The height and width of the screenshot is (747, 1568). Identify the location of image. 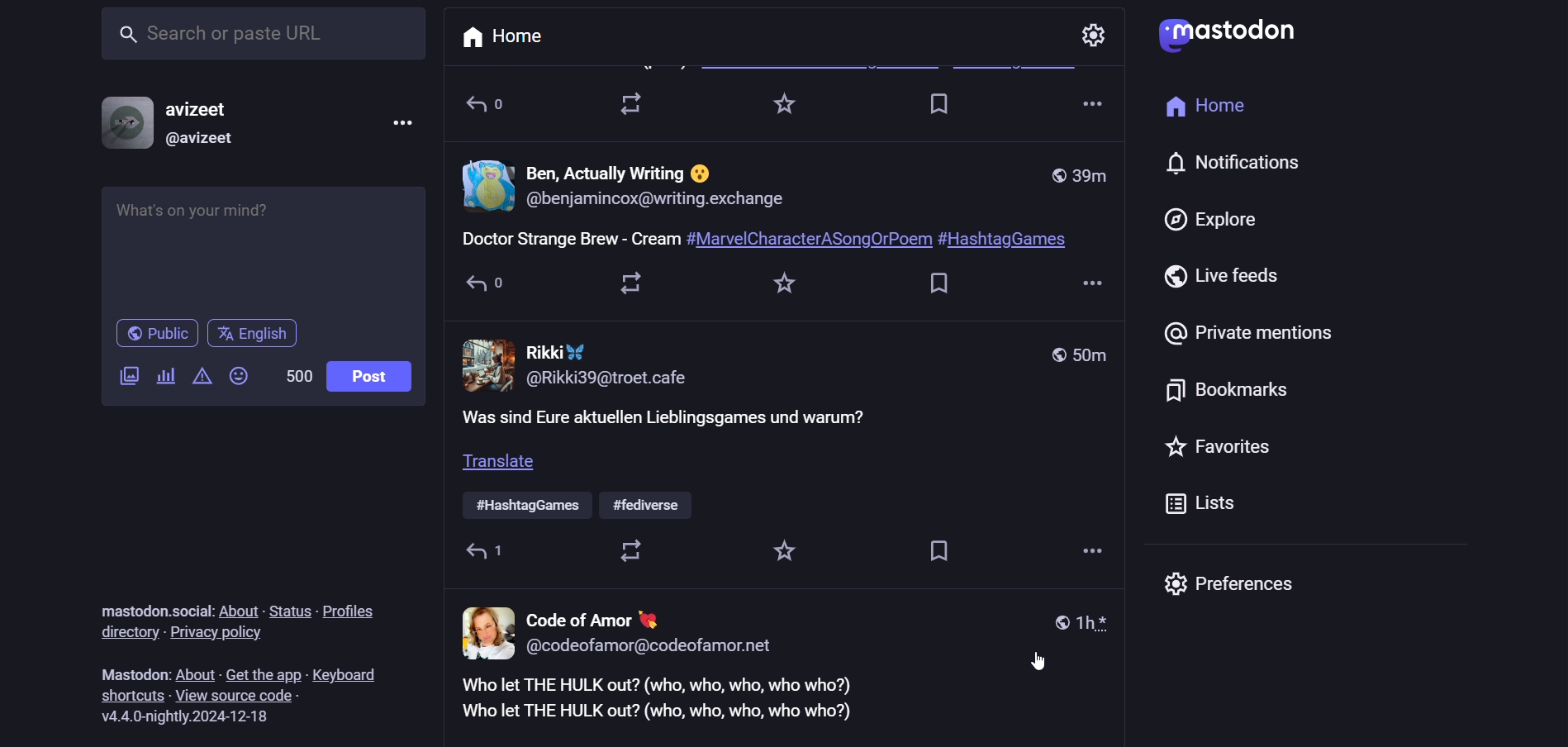
(487, 187).